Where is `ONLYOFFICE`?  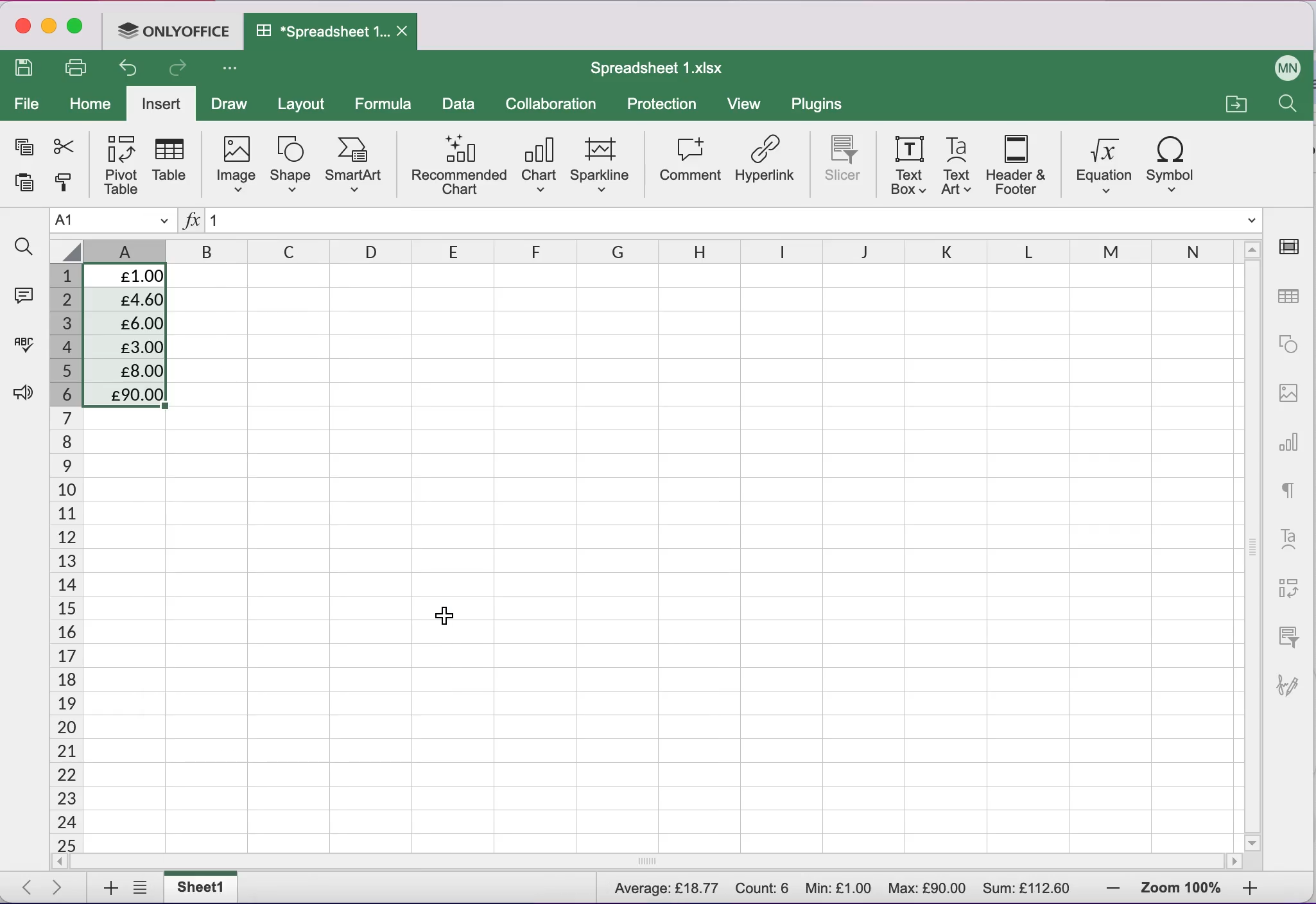 ONLYOFFICE is located at coordinates (175, 31).